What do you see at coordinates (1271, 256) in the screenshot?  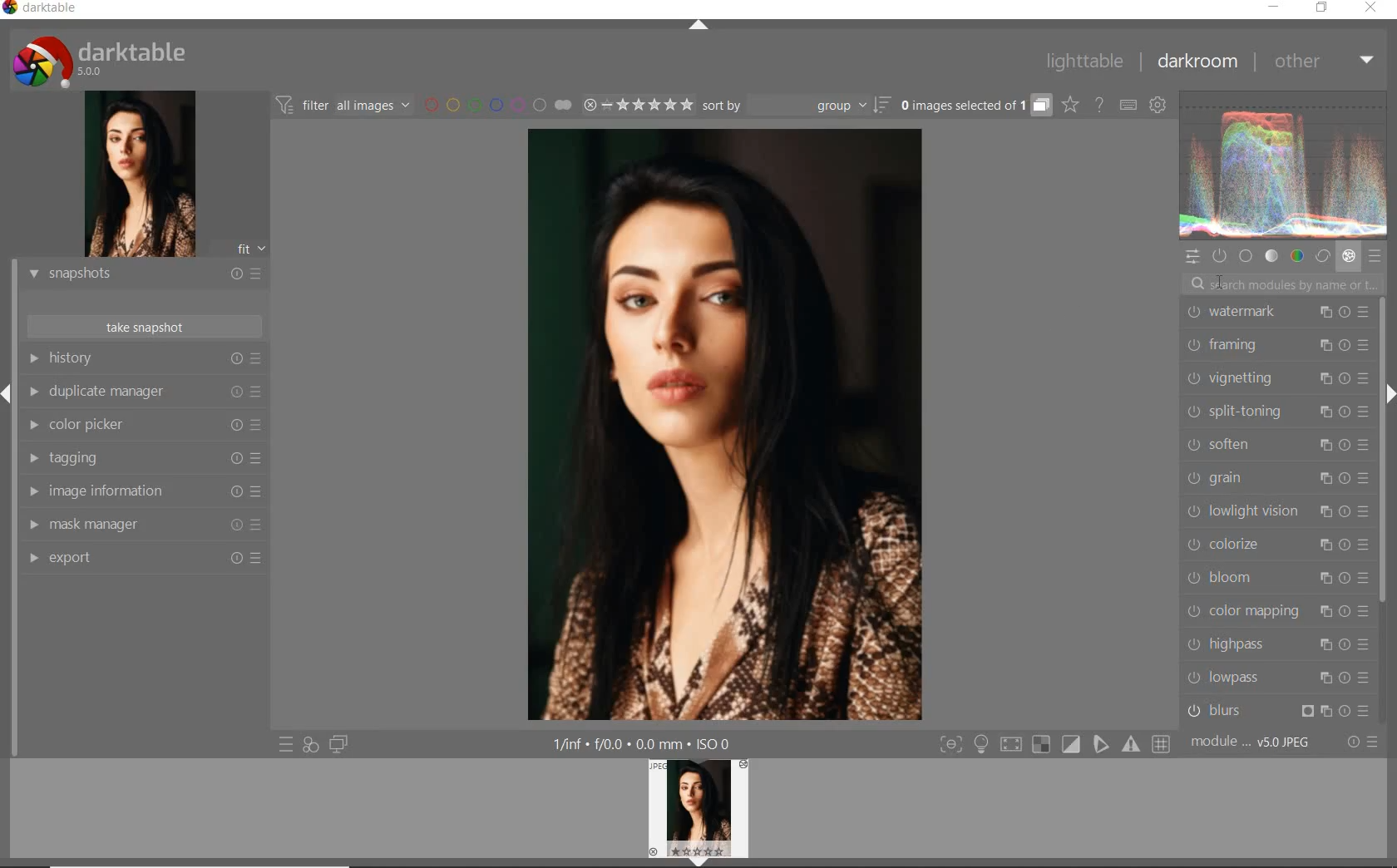 I see `tone` at bounding box center [1271, 256].